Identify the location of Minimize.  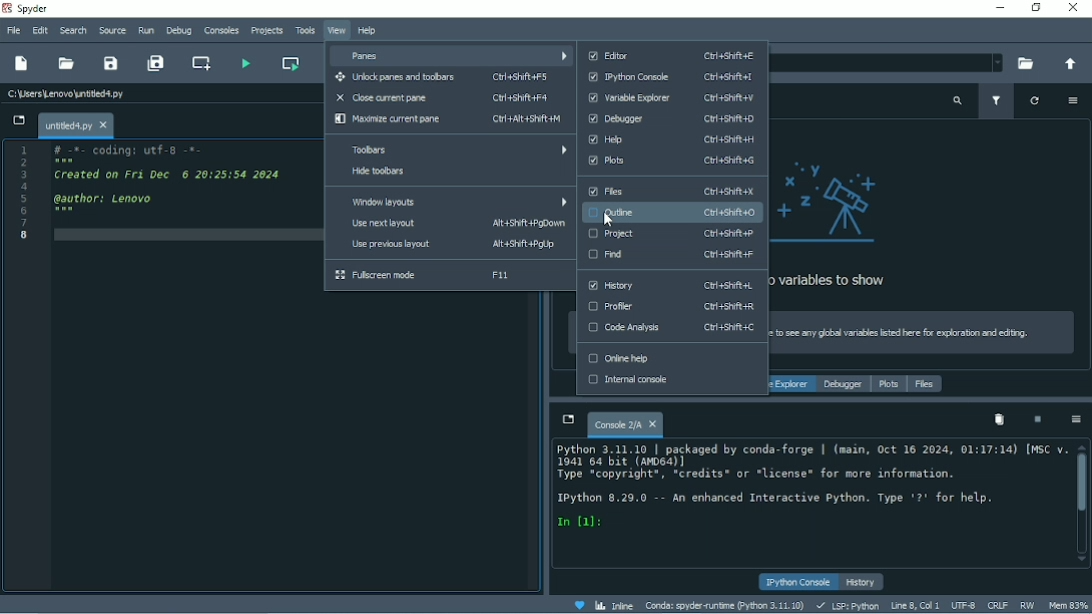
(999, 8).